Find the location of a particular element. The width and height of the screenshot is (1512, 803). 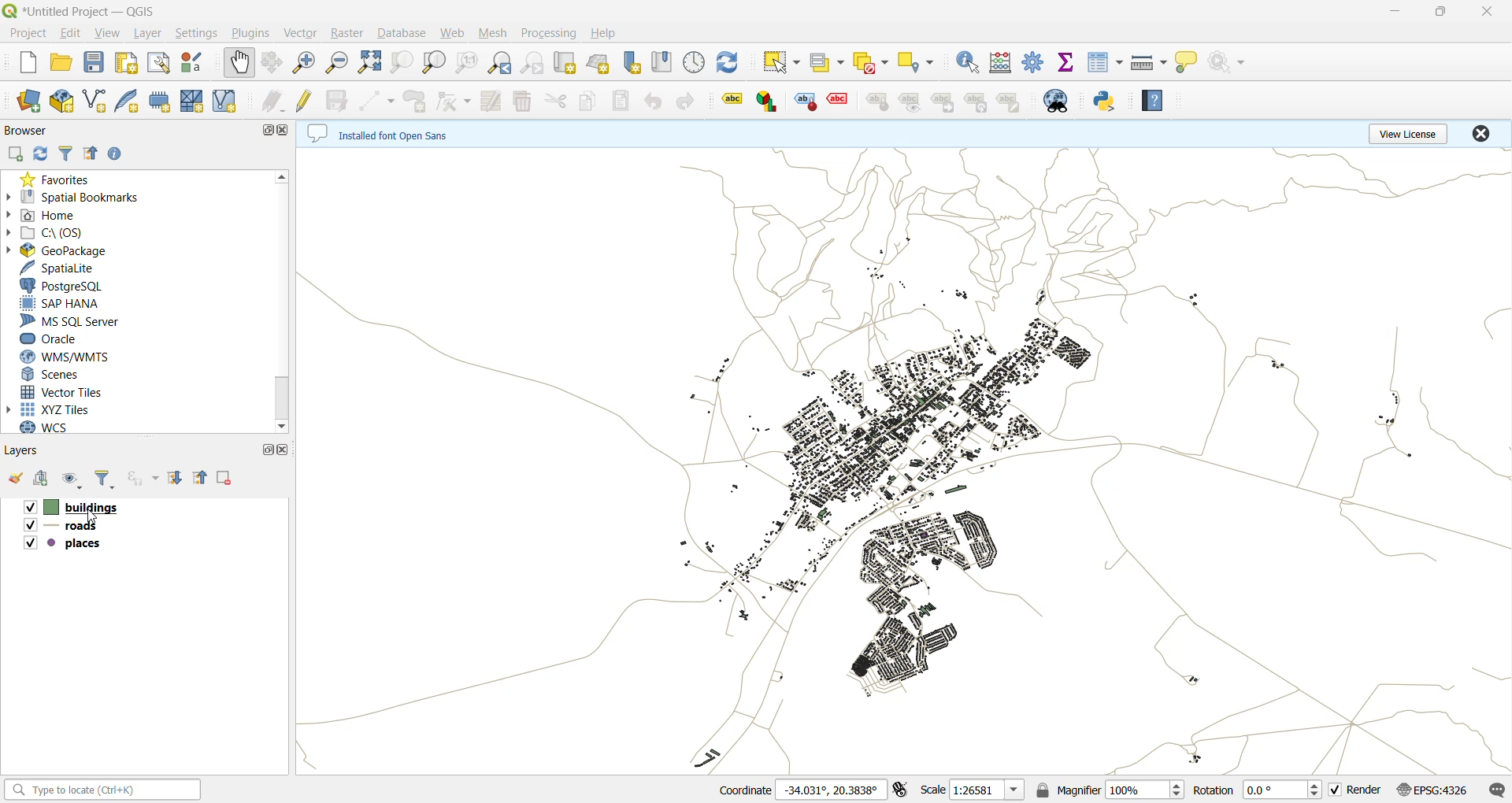

web is located at coordinates (453, 33).